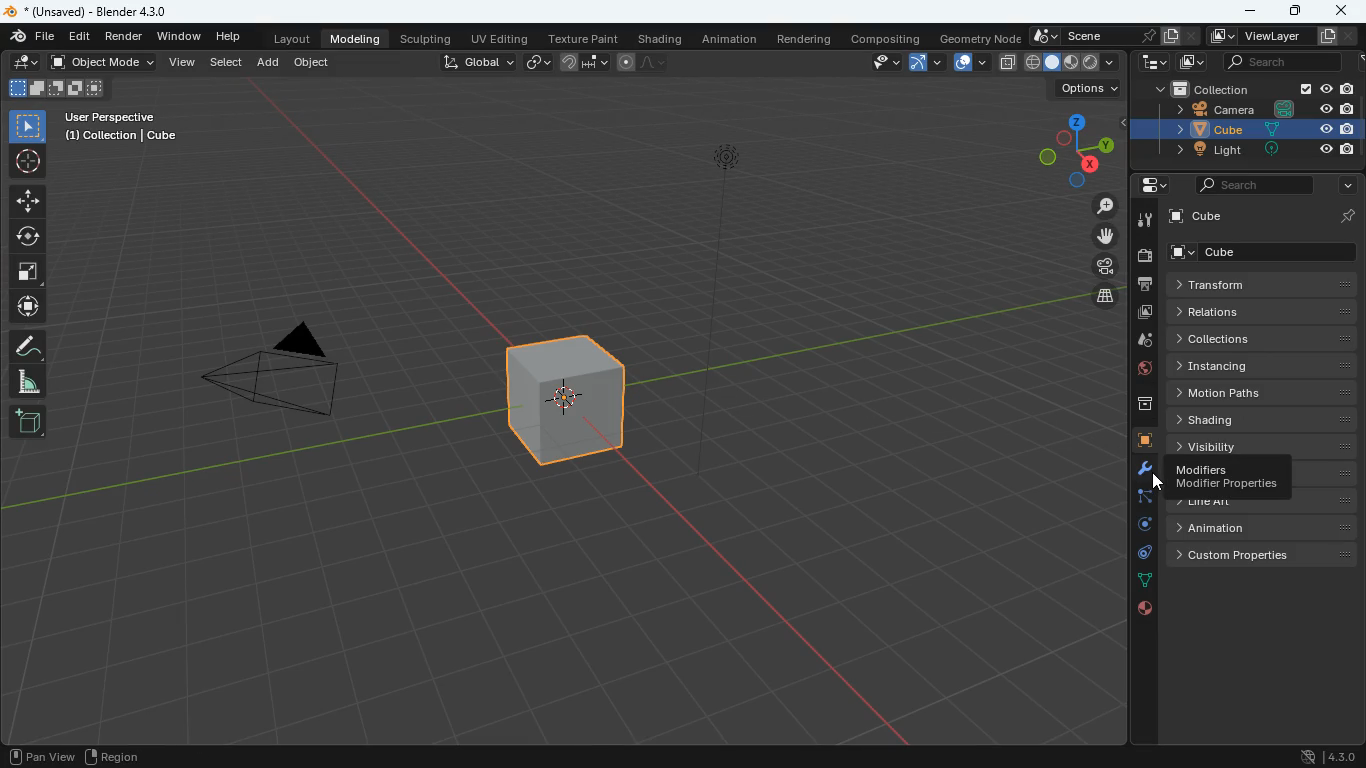 This screenshot has width=1366, height=768. I want to click on global, so click(478, 62).